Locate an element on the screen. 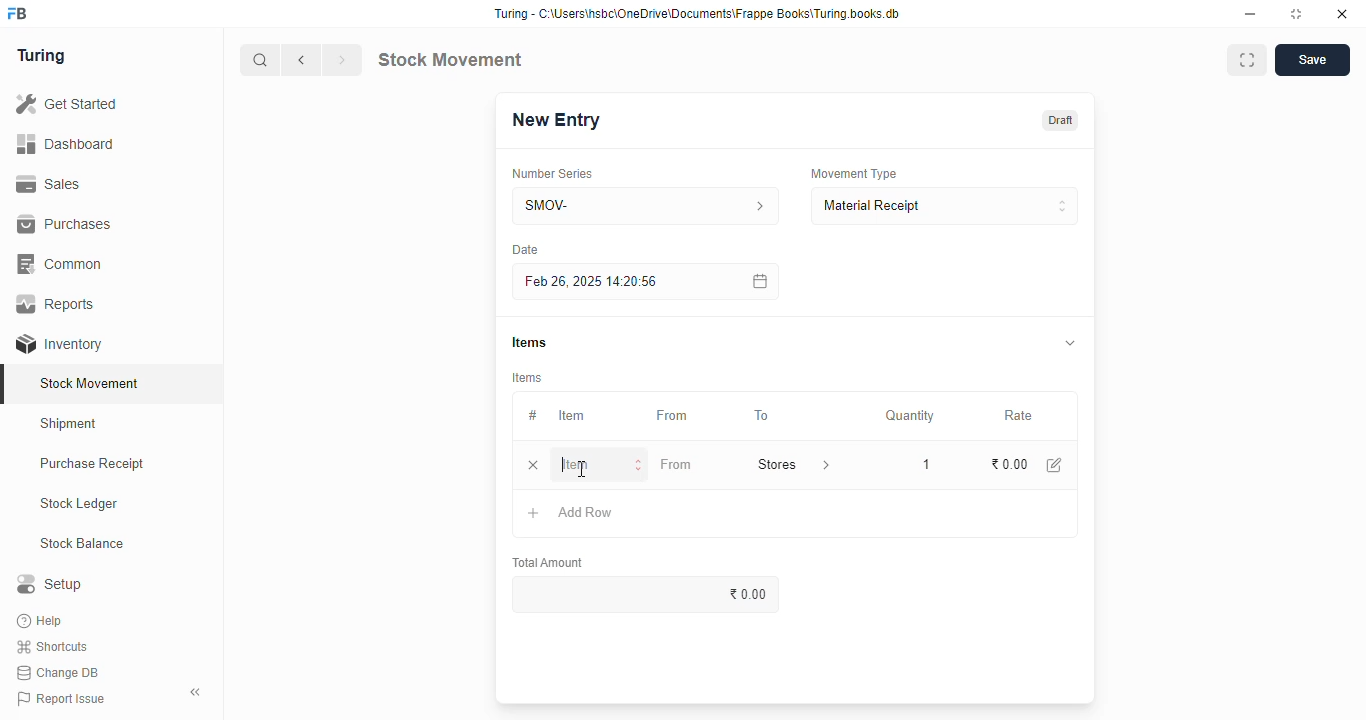 The image size is (1366, 720). remove is located at coordinates (533, 466).